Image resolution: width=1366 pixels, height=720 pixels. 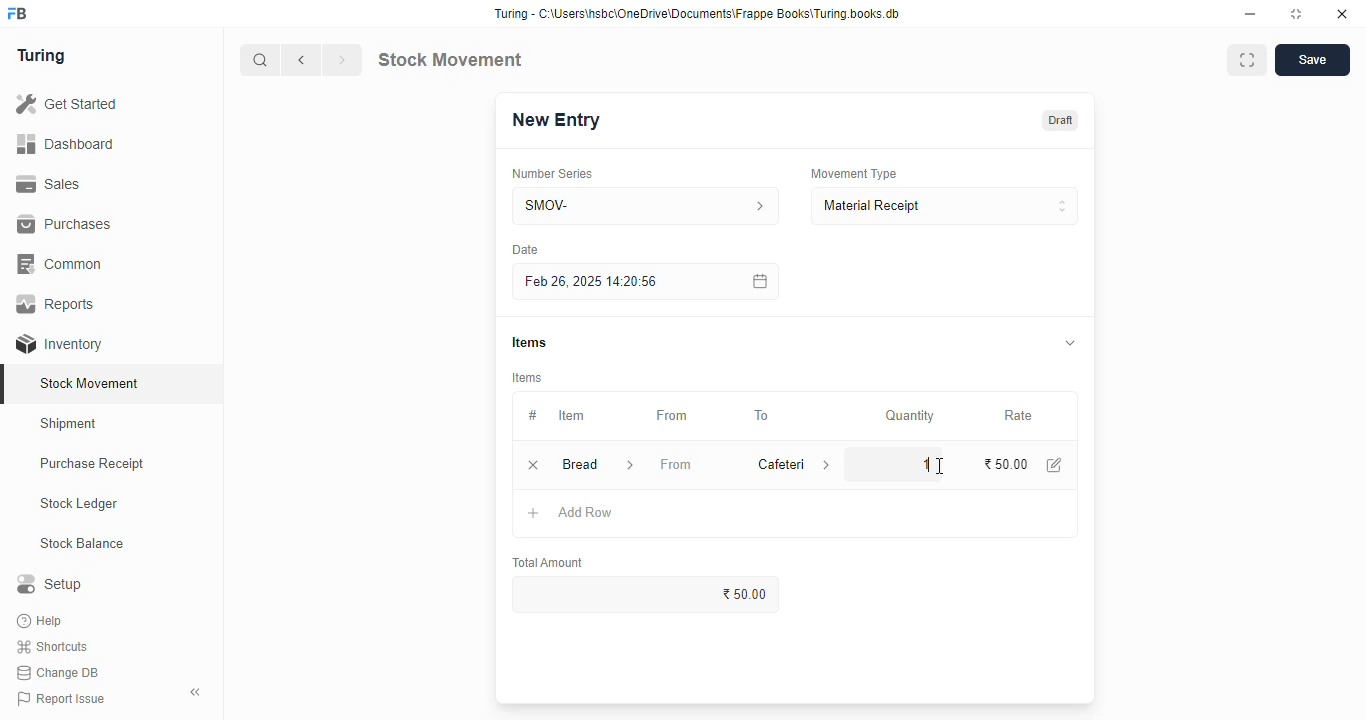 What do you see at coordinates (302, 60) in the screenshot?
I see `previous` at bounding box center [302, 60].